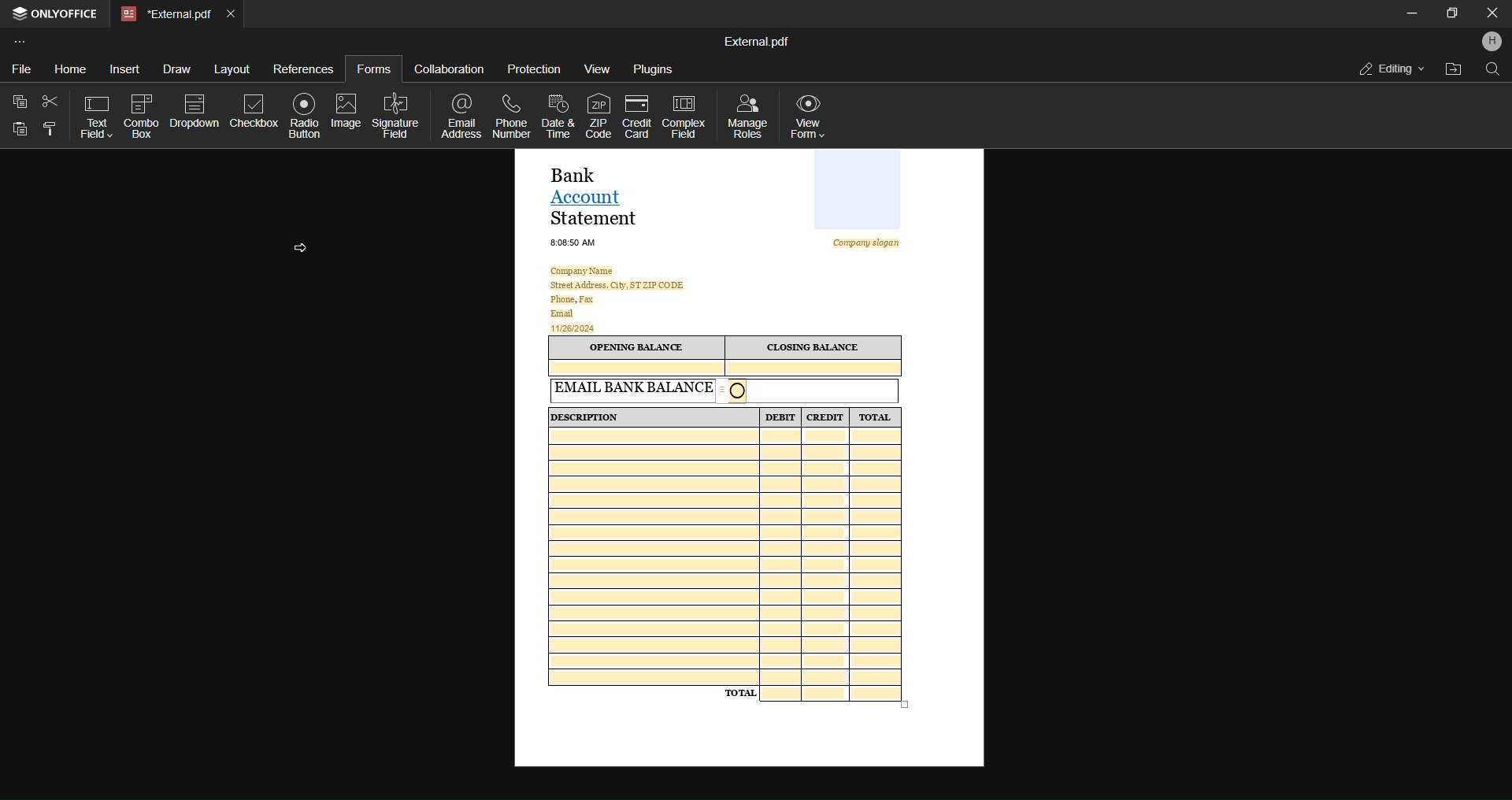  What do you see at coordinates (176, 69) in the screenshot?
I see `draw` at bounding box center [176, 69].